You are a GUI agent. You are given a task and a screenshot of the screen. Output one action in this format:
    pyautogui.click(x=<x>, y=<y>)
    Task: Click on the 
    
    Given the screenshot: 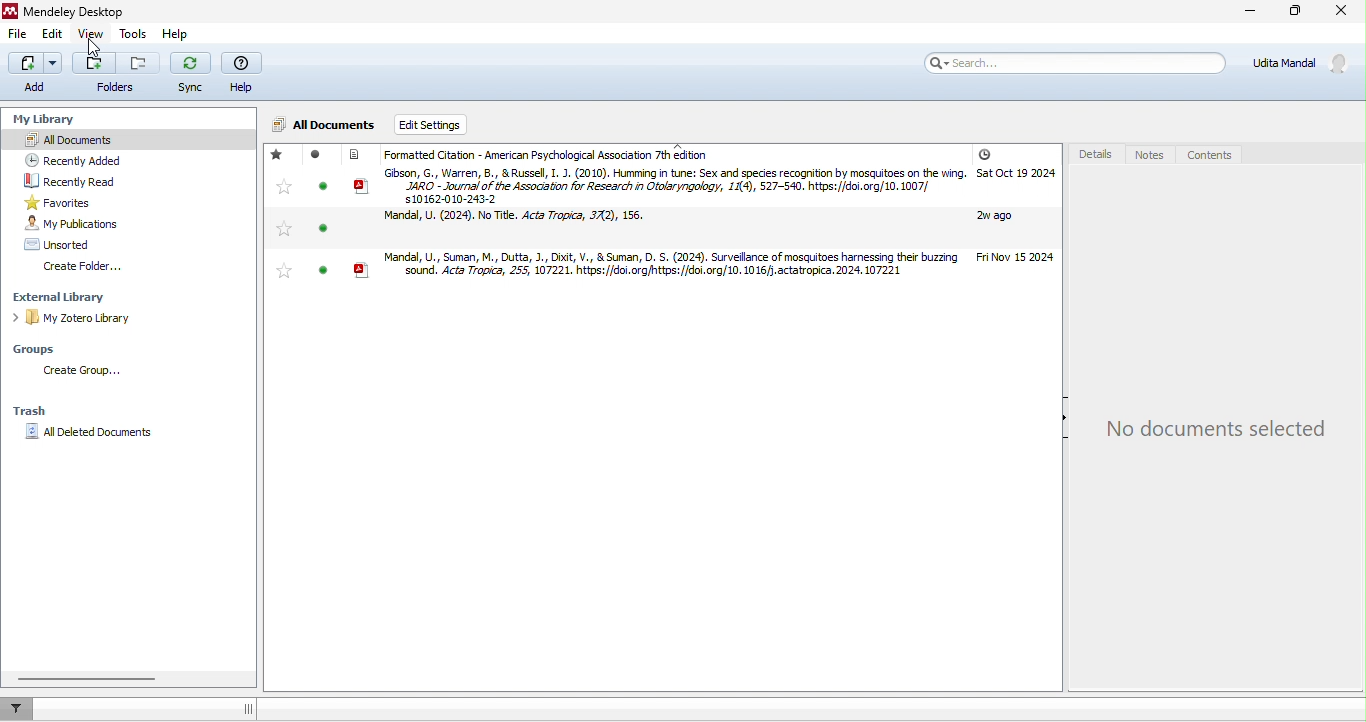 What is the action you would take?
    pyautogui.click(x=35, y=74)
    